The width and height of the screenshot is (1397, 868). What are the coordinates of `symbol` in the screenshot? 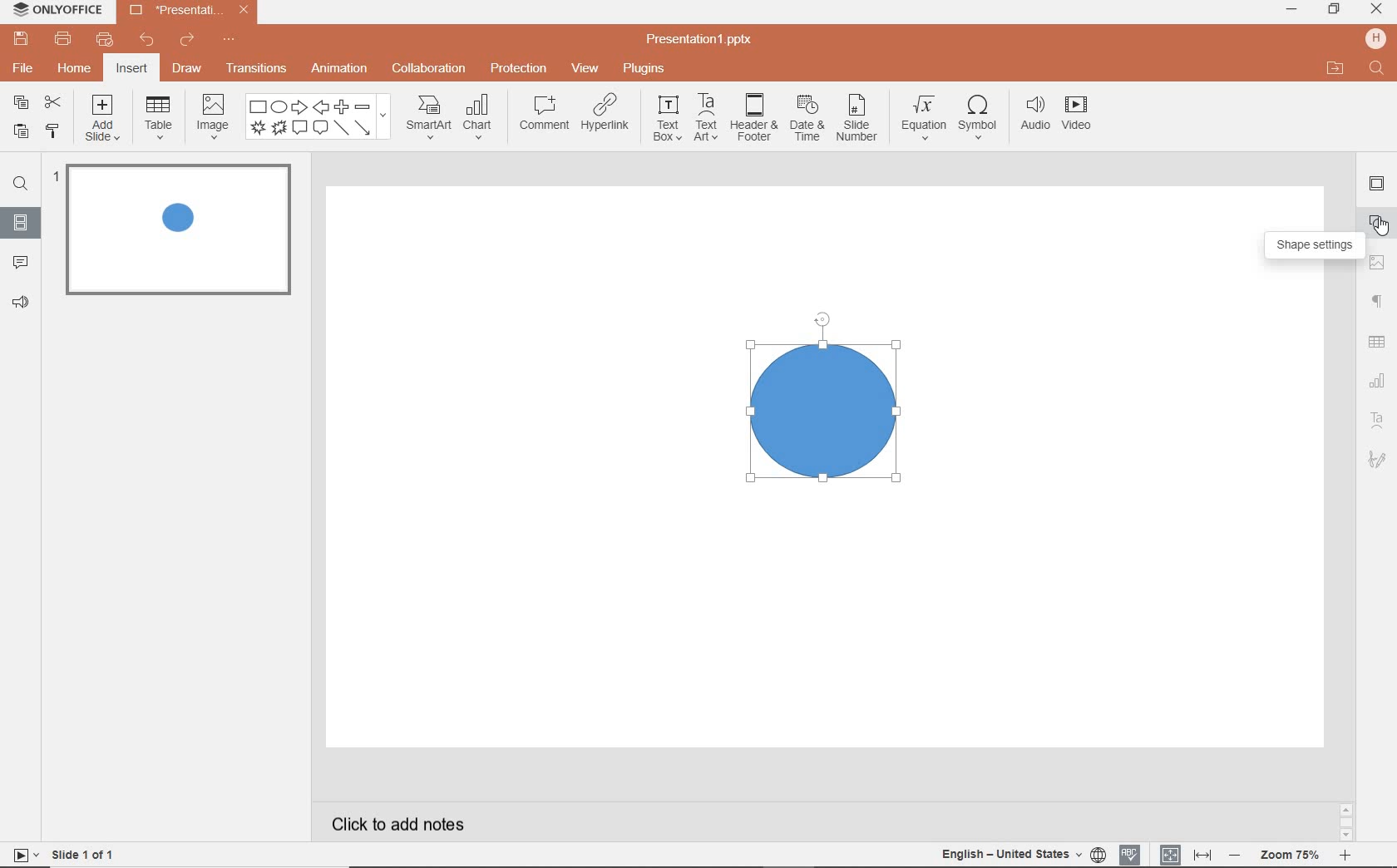 It's located at (977, 118).